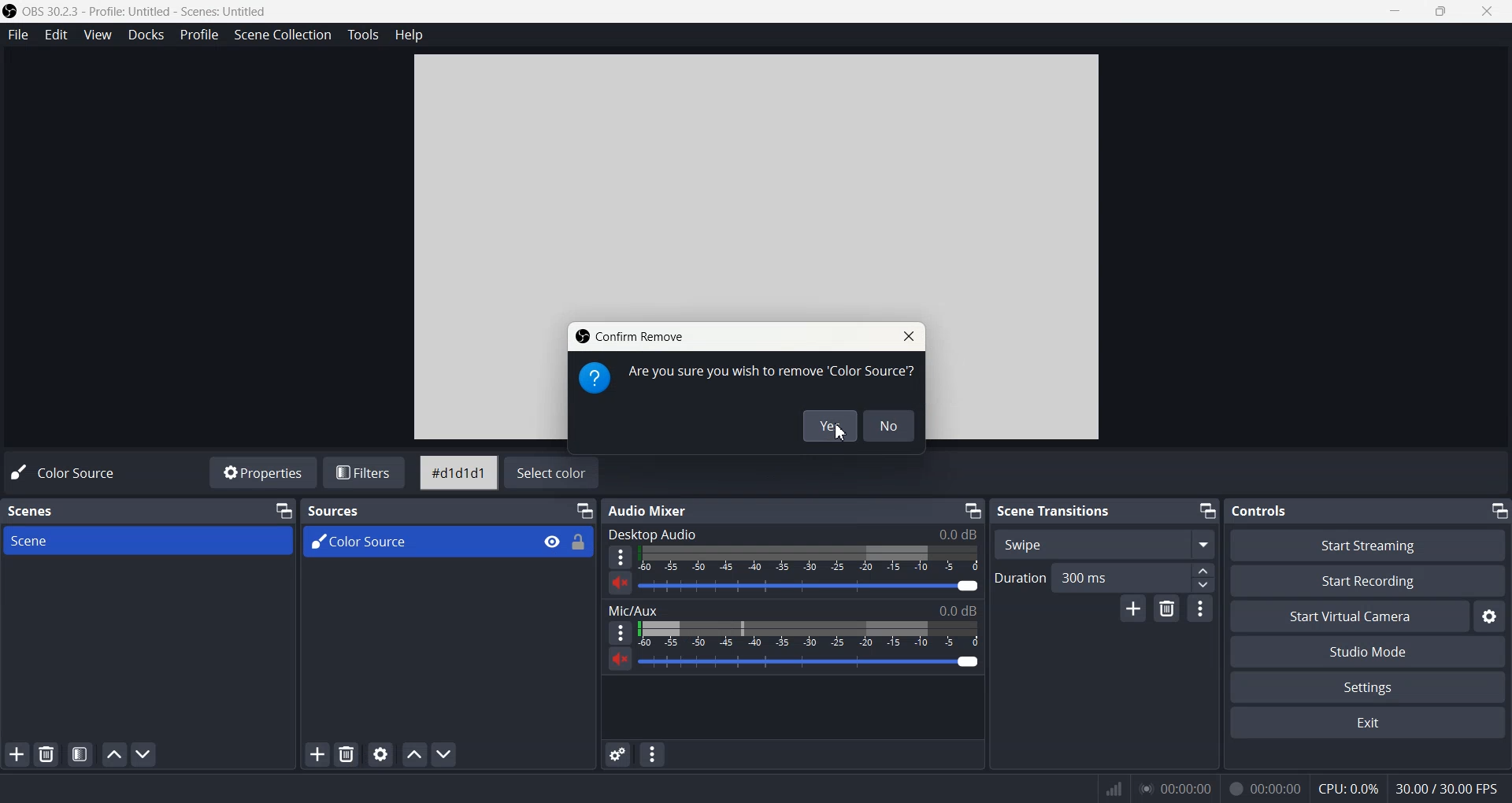 The height and width of the screenshot is (803, 1512). Describe the element at coordinates (617, 755) in the screenshot. I see `Advance audio properties` at that location.